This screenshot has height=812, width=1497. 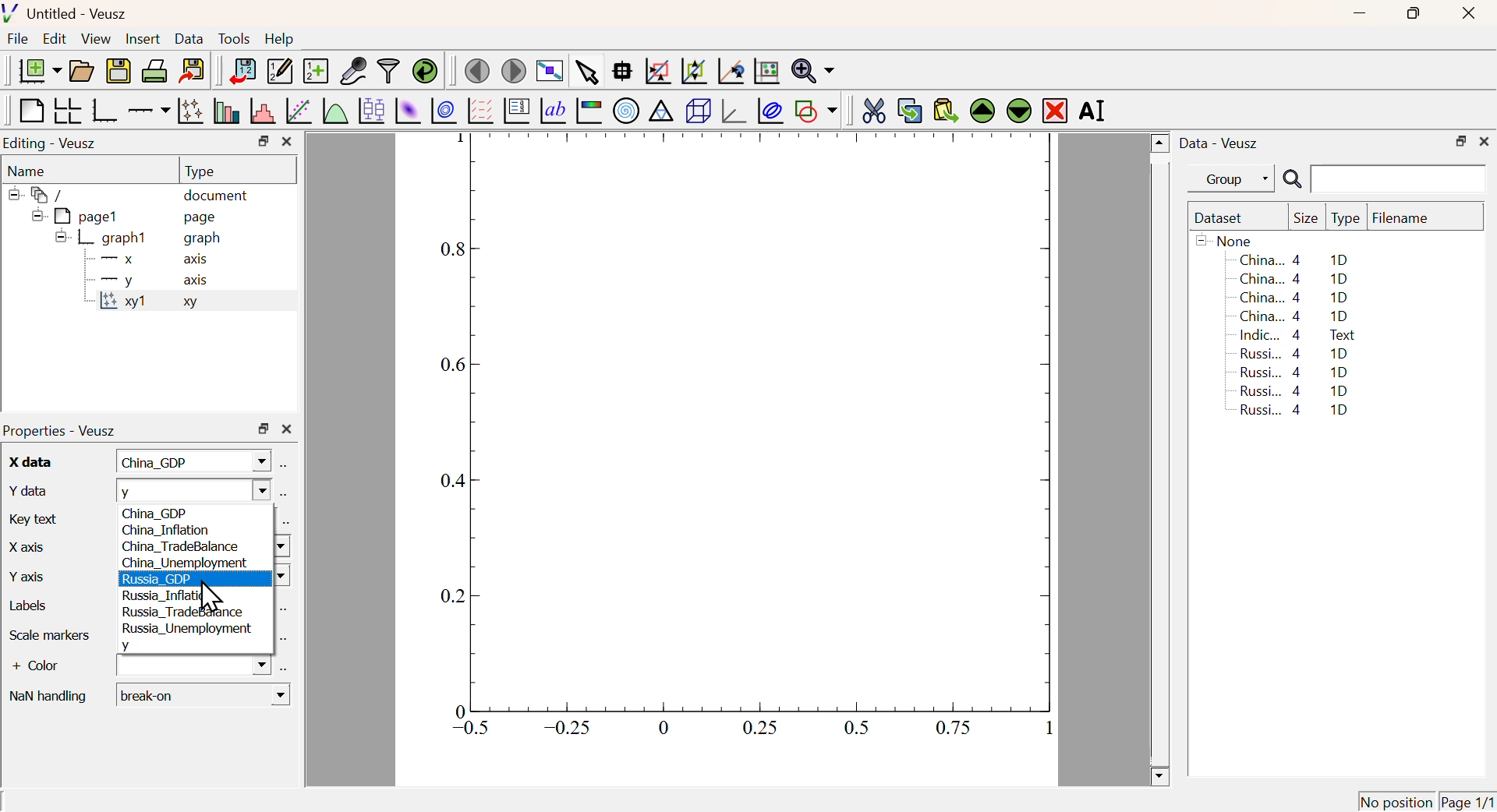 I want to click on Histogram of a dataset, so click(x=263, y=111).